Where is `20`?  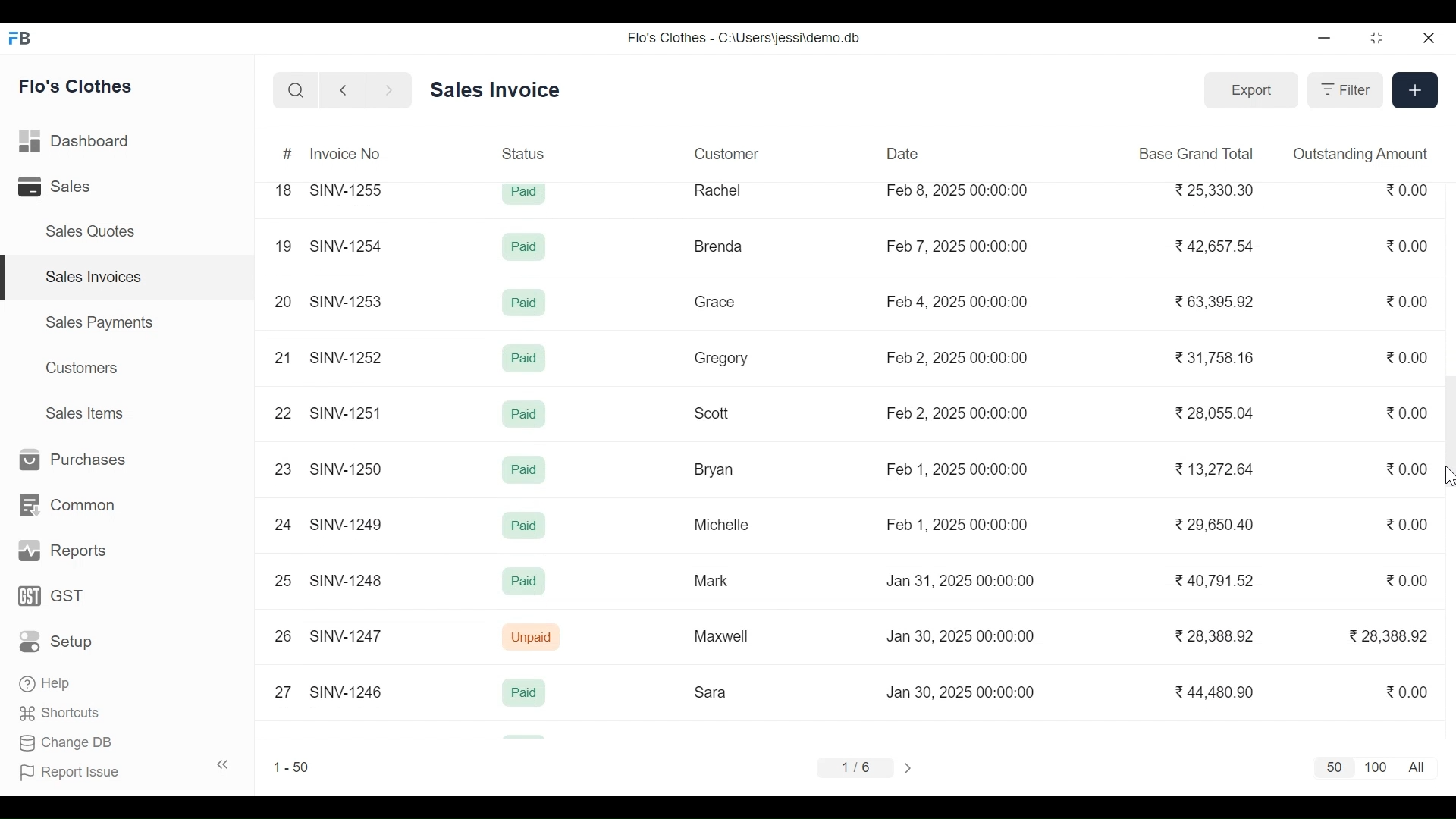 20 is located at coordinates (283, 299).